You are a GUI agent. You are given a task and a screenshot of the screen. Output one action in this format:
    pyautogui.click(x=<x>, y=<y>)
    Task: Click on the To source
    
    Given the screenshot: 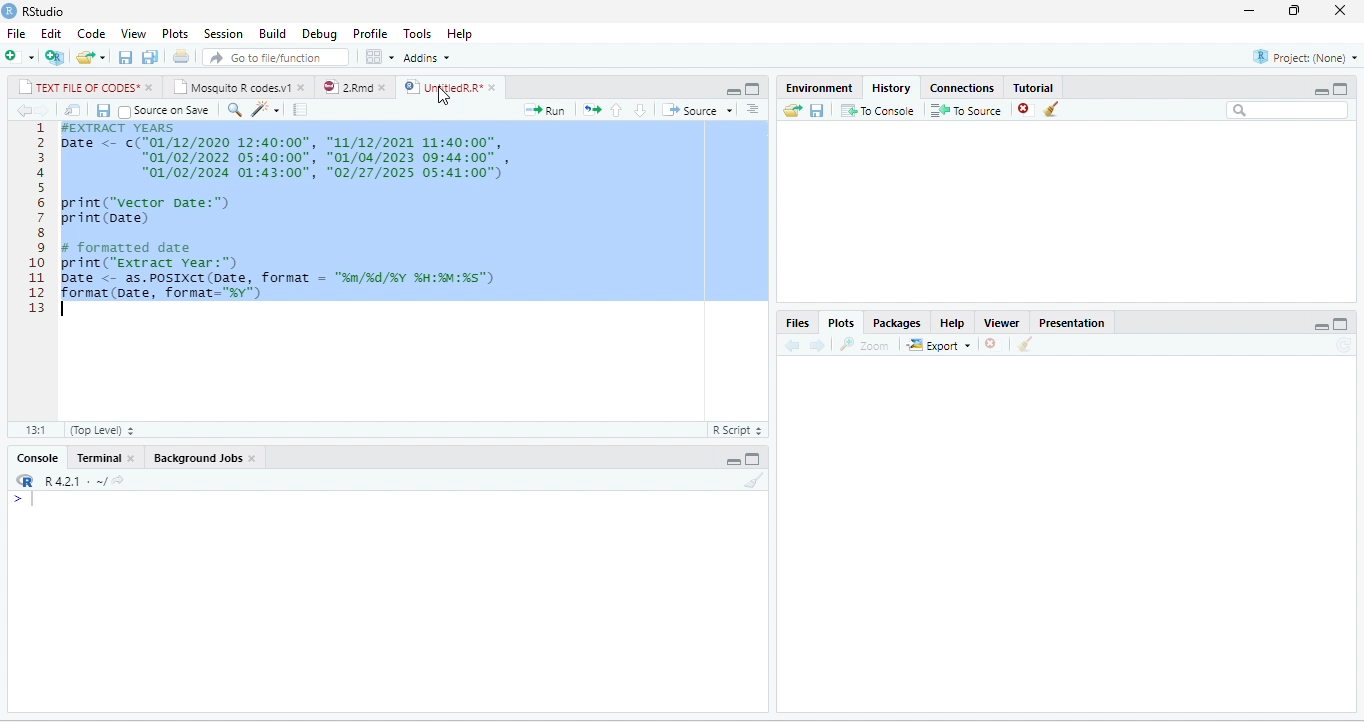 What is the action you would take?
    pyautogui.click(x=964, y=109)
    